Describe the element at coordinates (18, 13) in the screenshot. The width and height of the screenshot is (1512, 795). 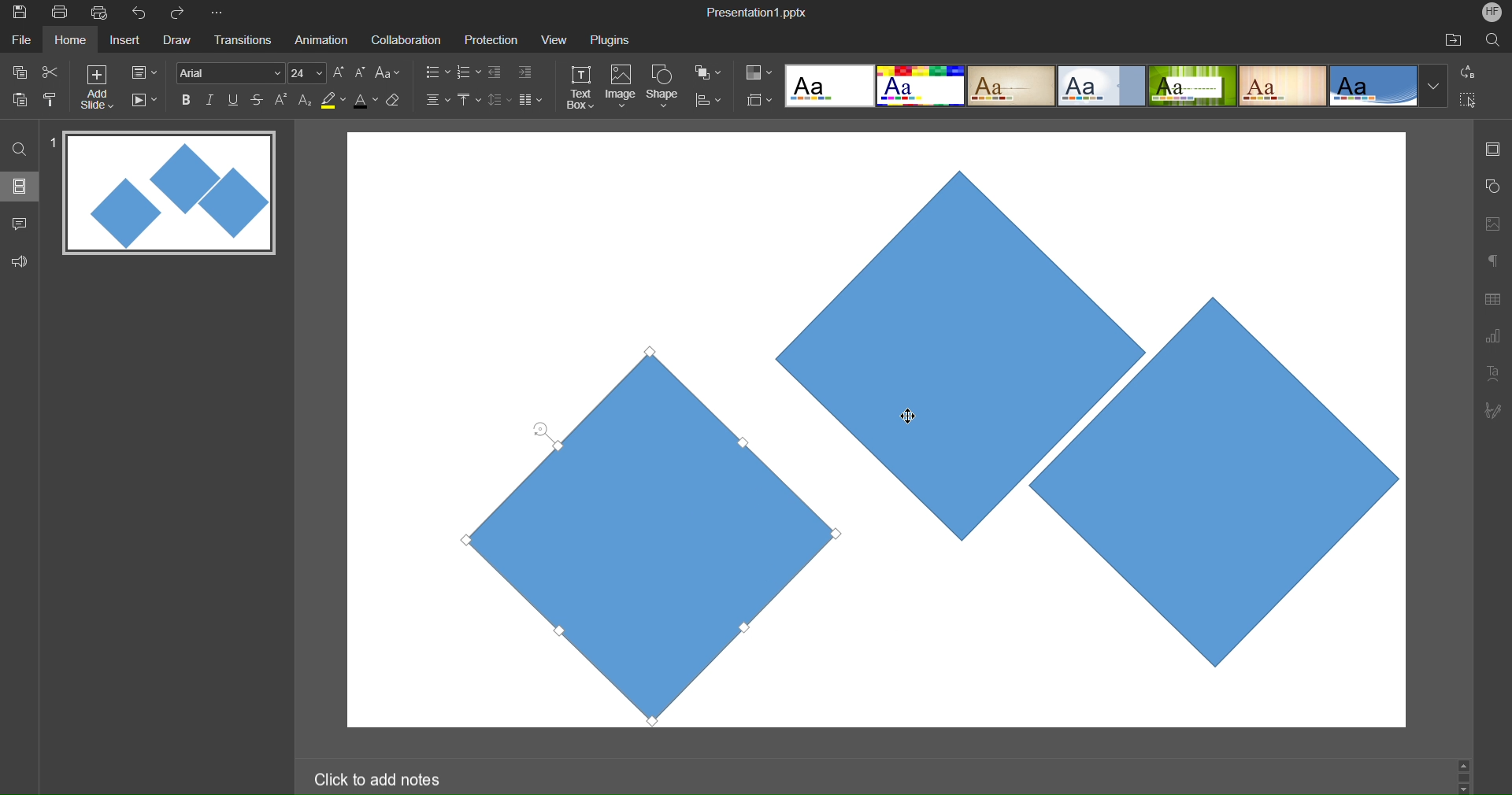
I see `Save` at that location.